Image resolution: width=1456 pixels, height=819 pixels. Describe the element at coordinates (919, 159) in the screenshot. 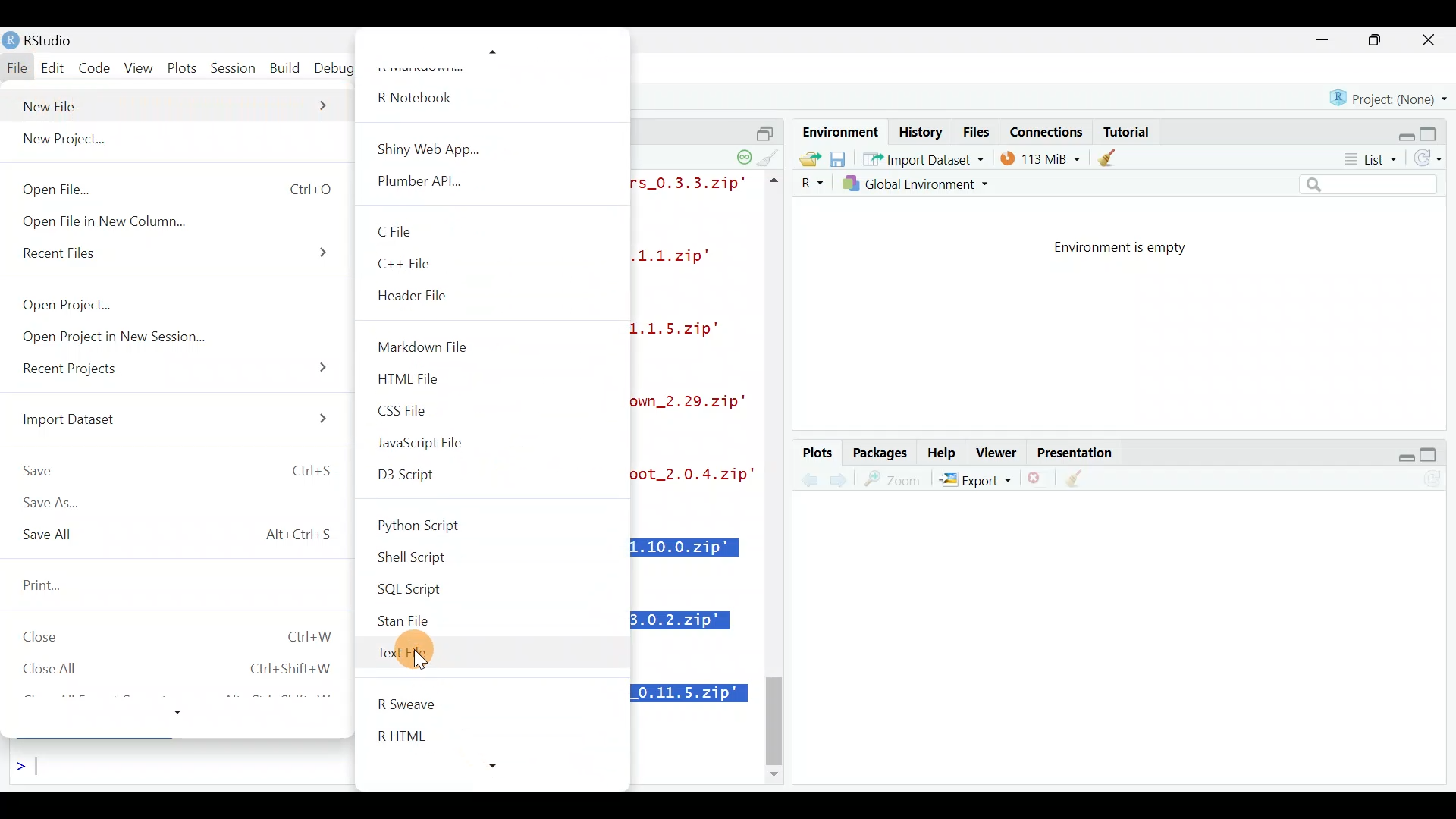

I see `* Import Dataset *` at that location.